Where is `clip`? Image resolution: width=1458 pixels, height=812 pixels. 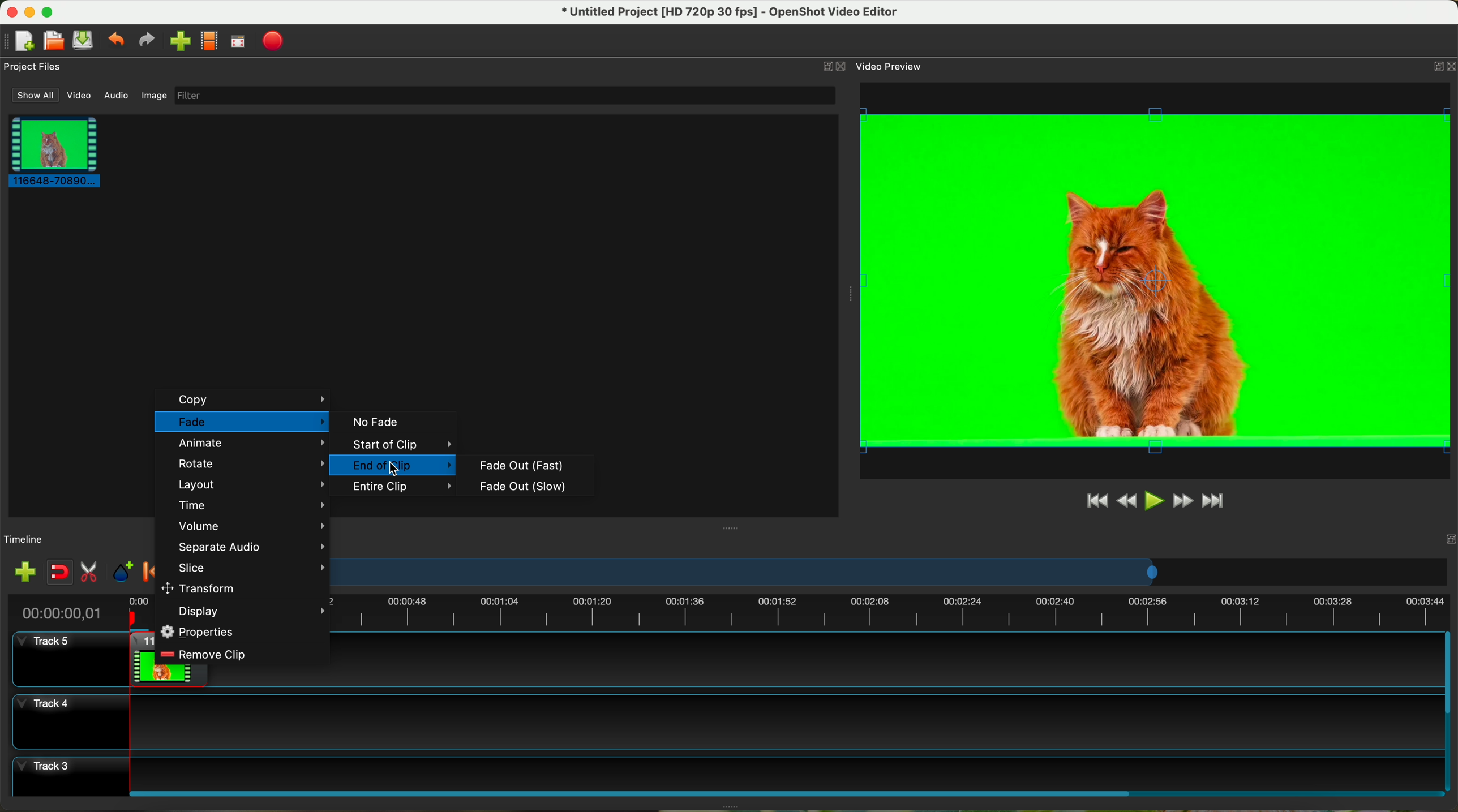 clip is located at coordinates (51, 151).